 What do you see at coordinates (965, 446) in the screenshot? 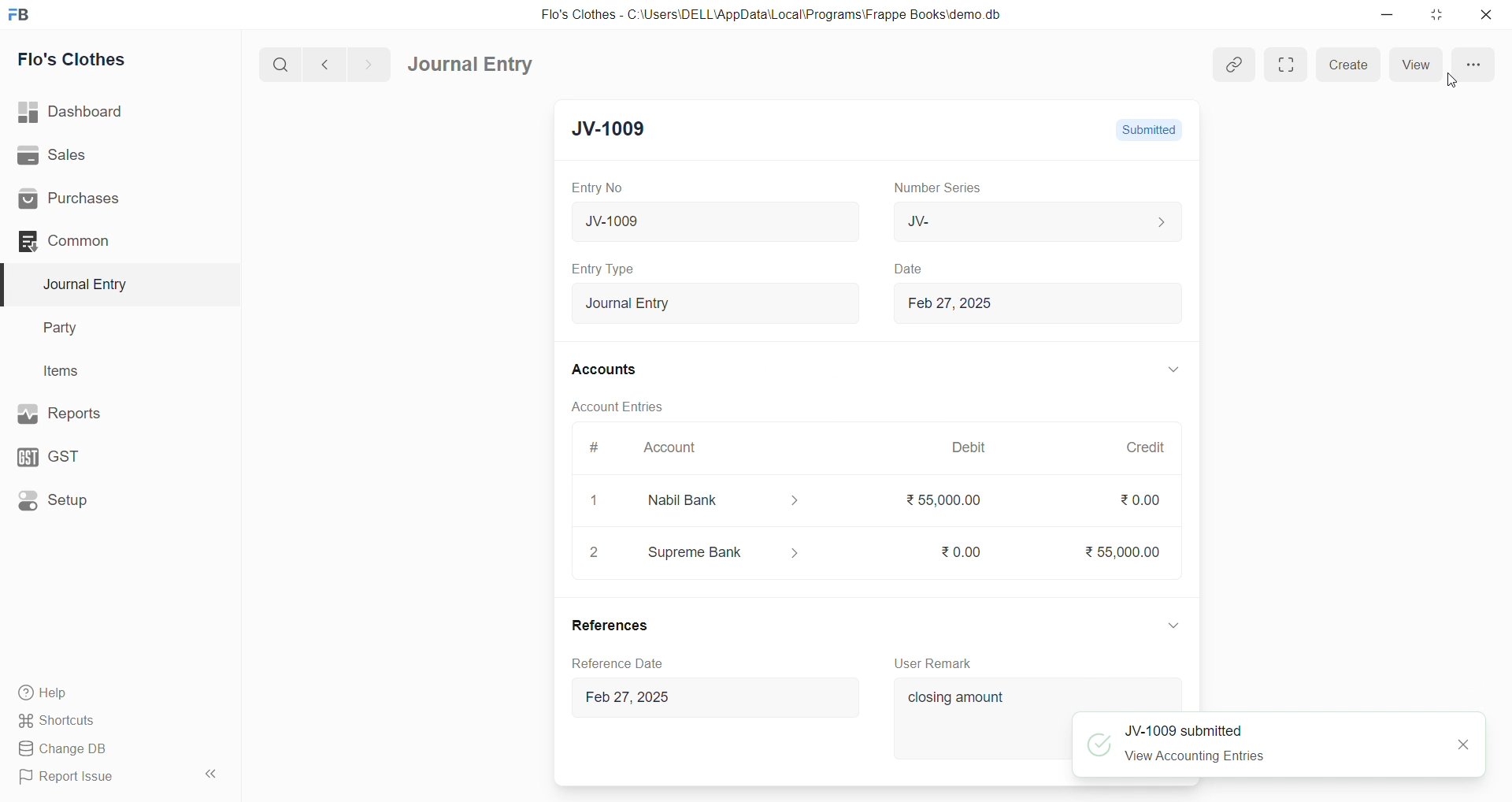
I see `Debit` at bounding box center [965, 446].